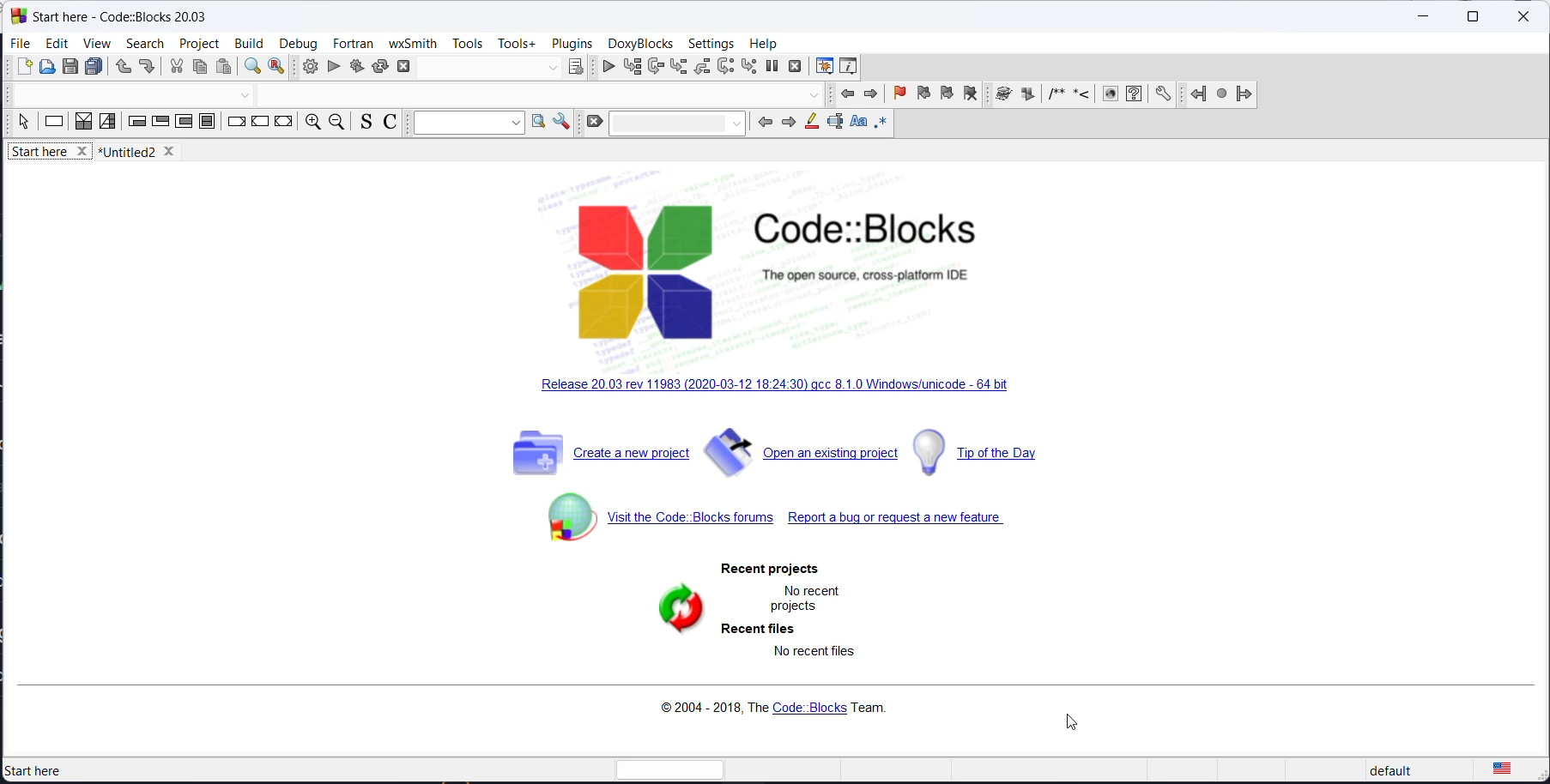 Image resolution: width=1550 pixels, height=784 pixels. I want to click on save, so click(72, 67).